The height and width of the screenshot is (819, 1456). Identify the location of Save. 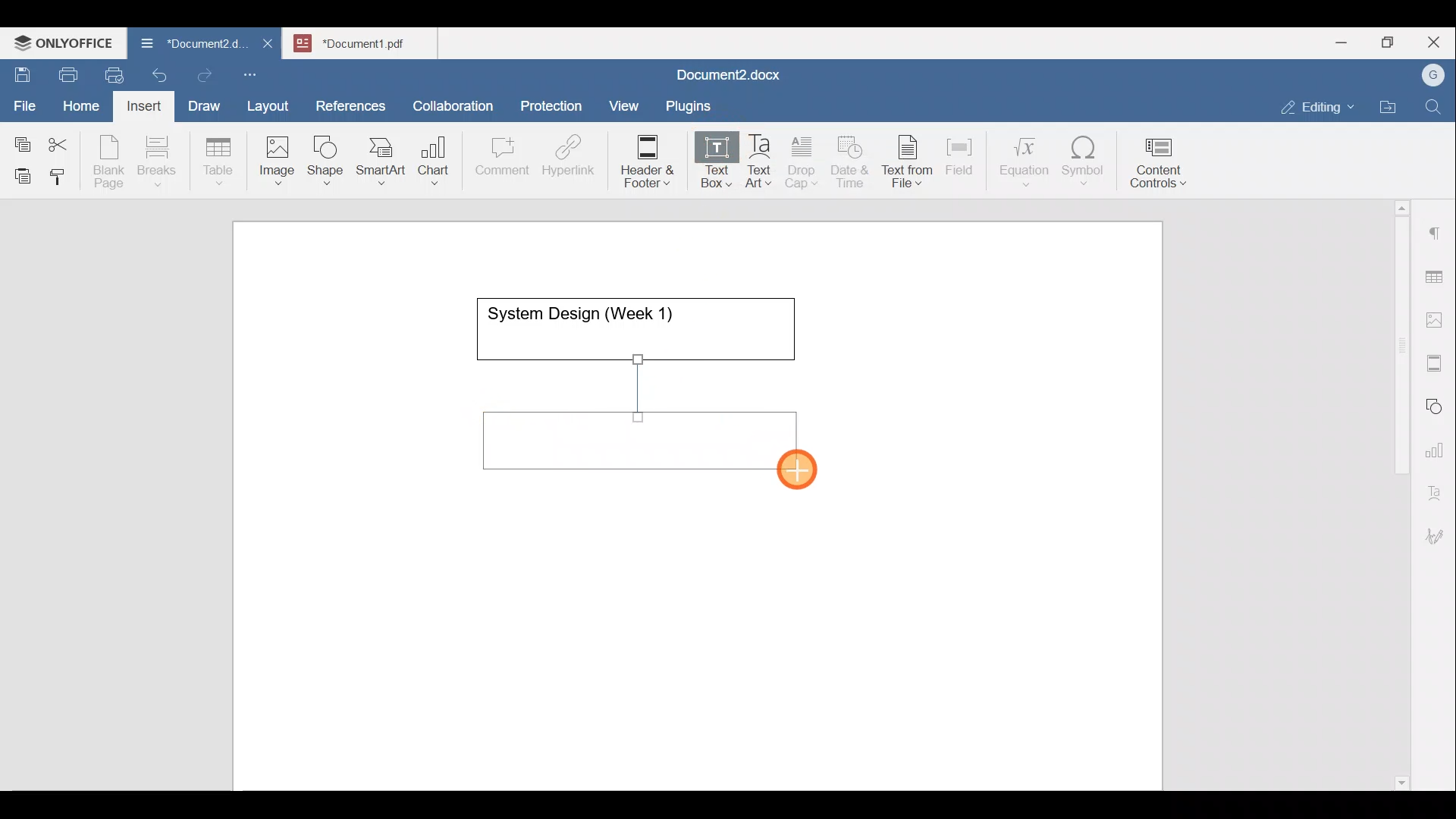
(21, 71).